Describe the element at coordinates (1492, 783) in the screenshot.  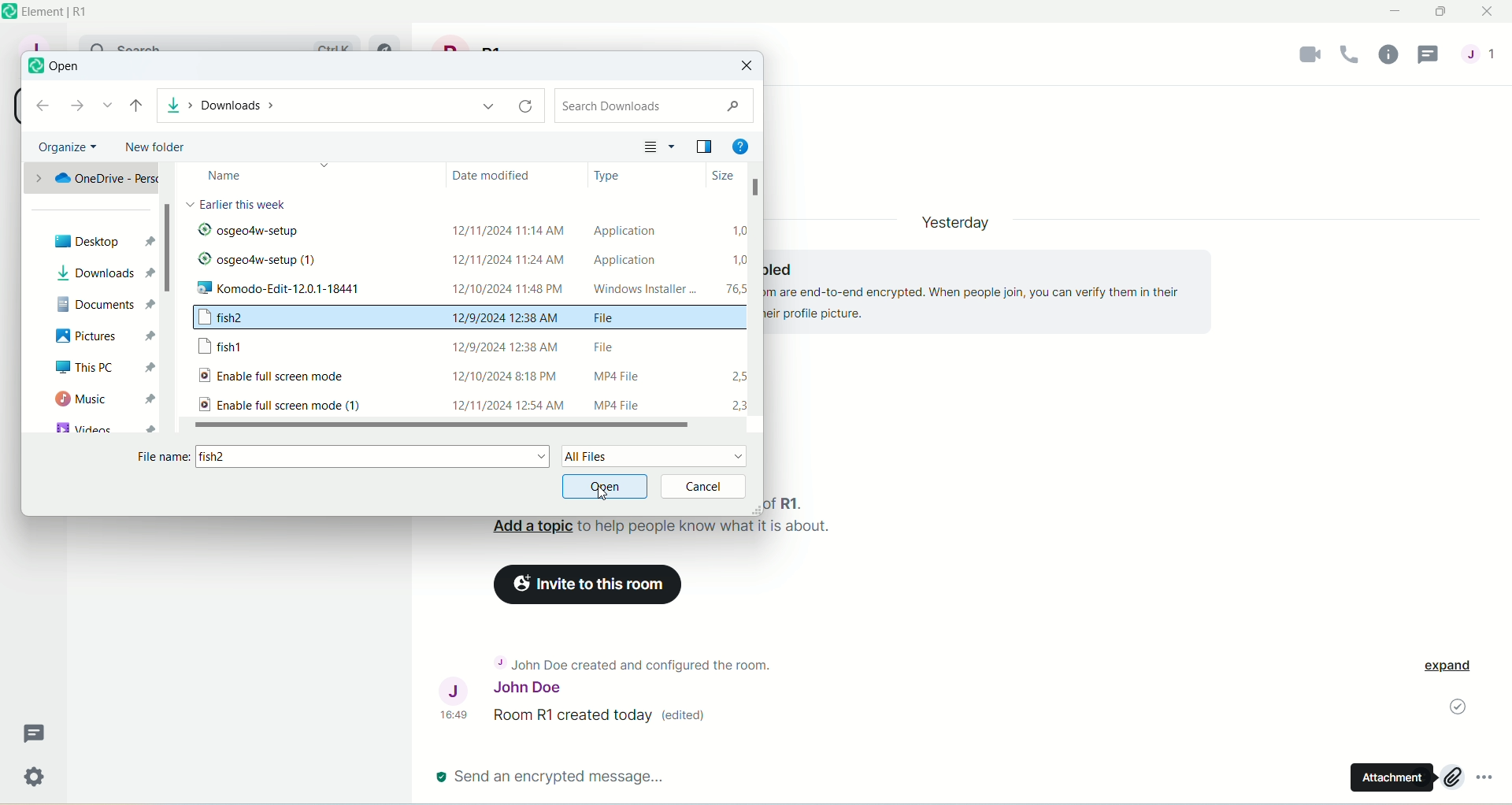
I see `options` at that location.